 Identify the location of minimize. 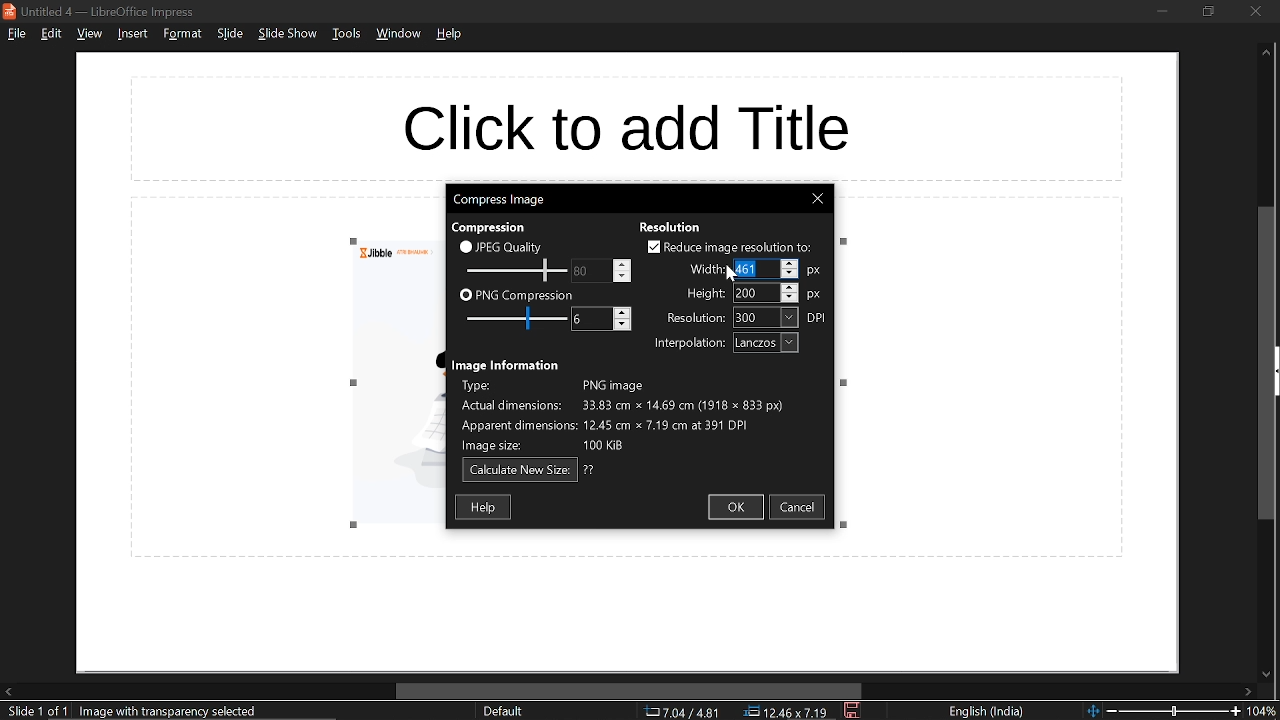
(1162, 11).